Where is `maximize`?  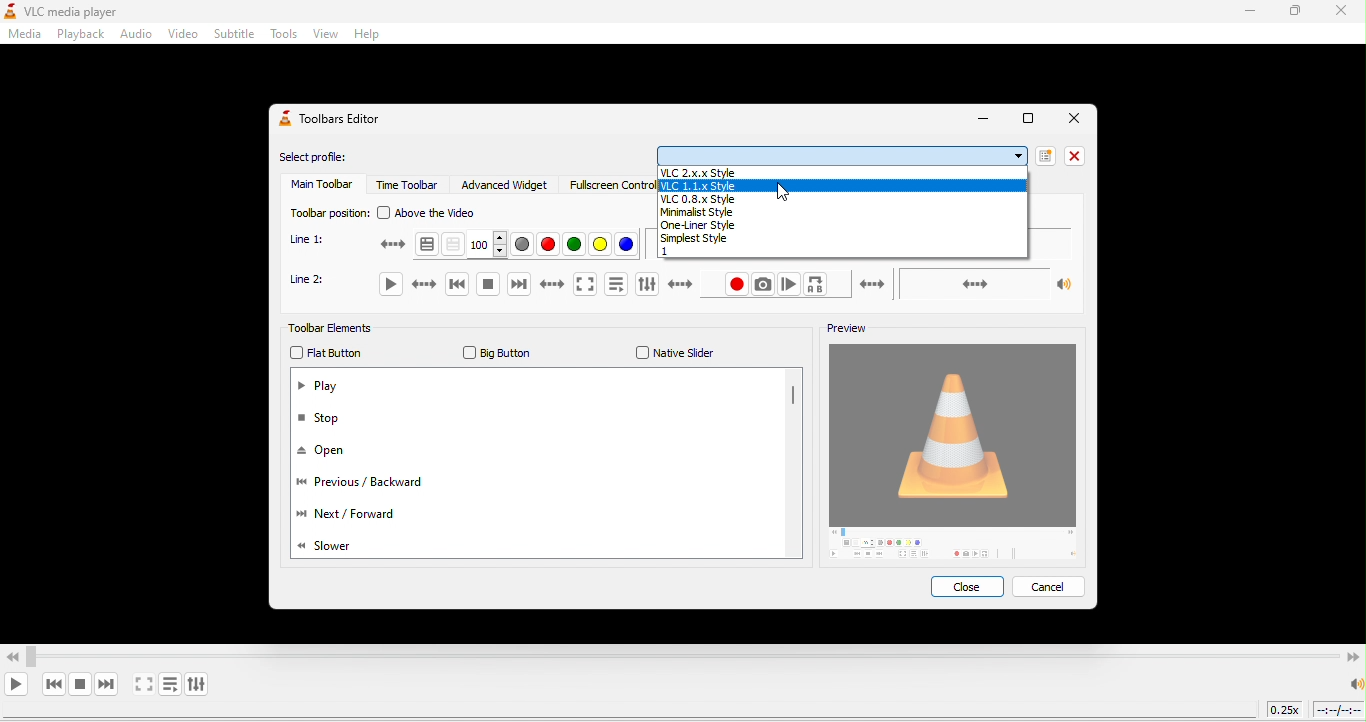 maximize is located at coordinates (1300, 13).